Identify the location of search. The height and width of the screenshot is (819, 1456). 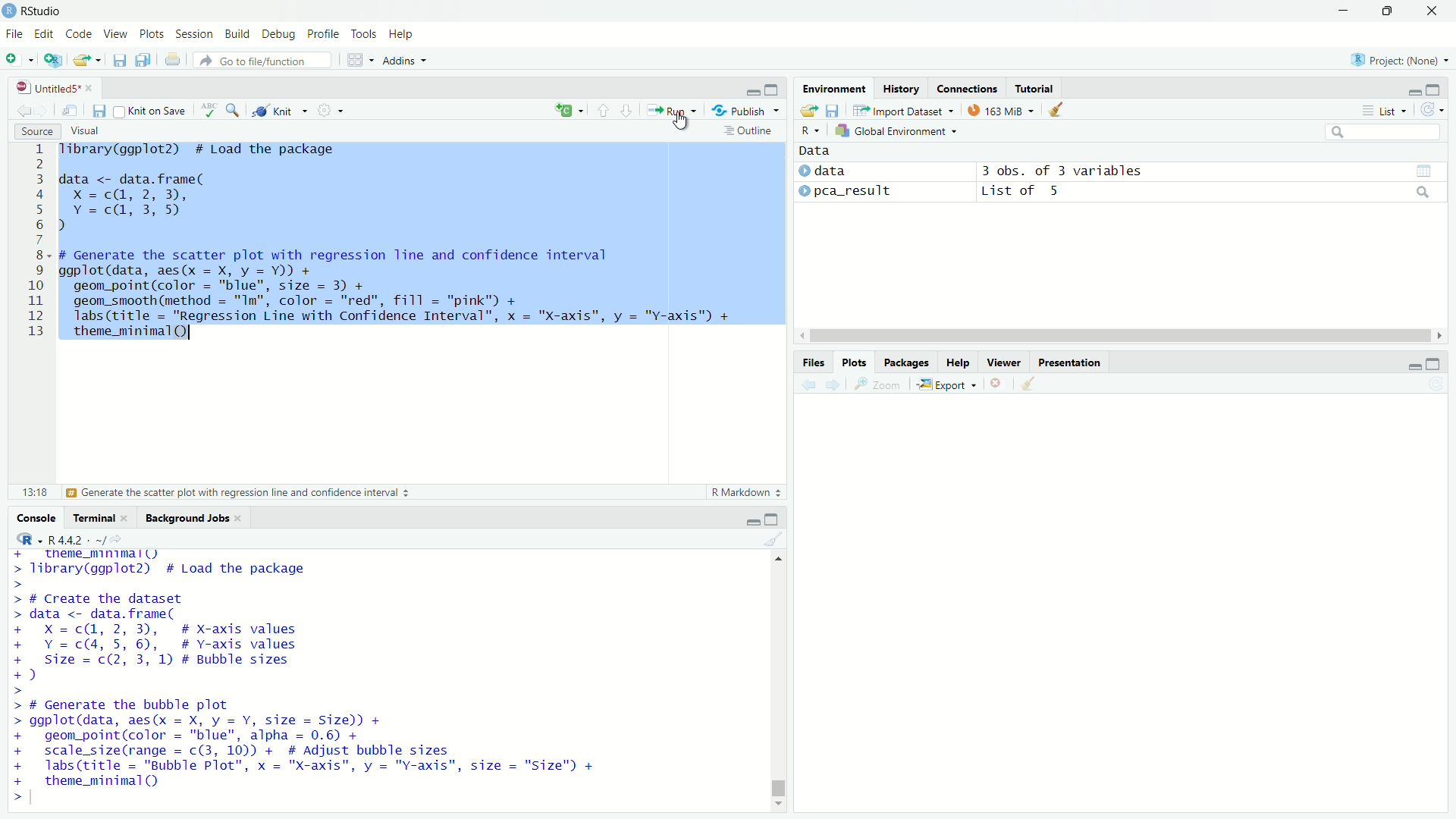
(1383, 132).